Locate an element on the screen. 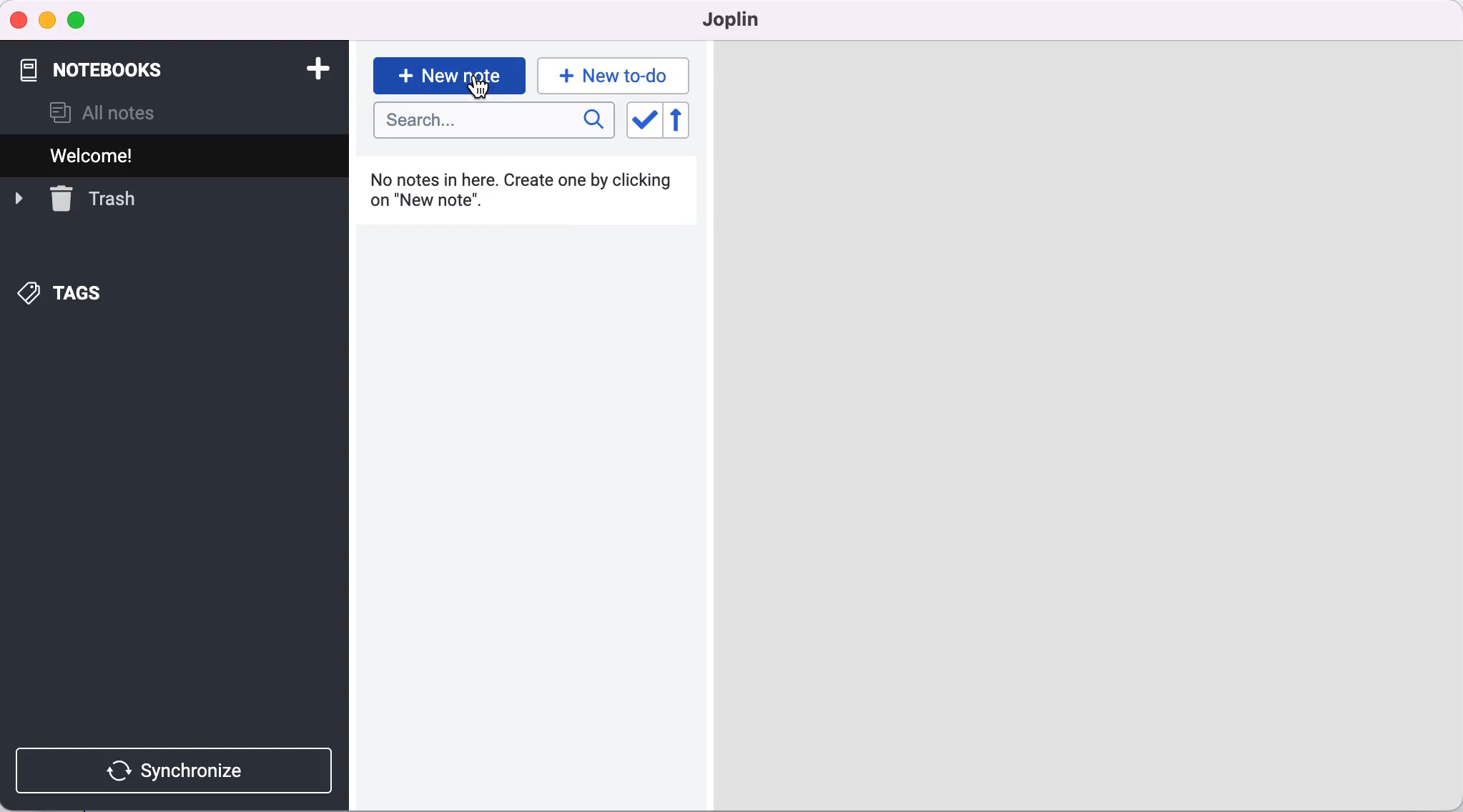 The height and width of the screenshot is (812, 1463). close is located at coordinates (19, 19).